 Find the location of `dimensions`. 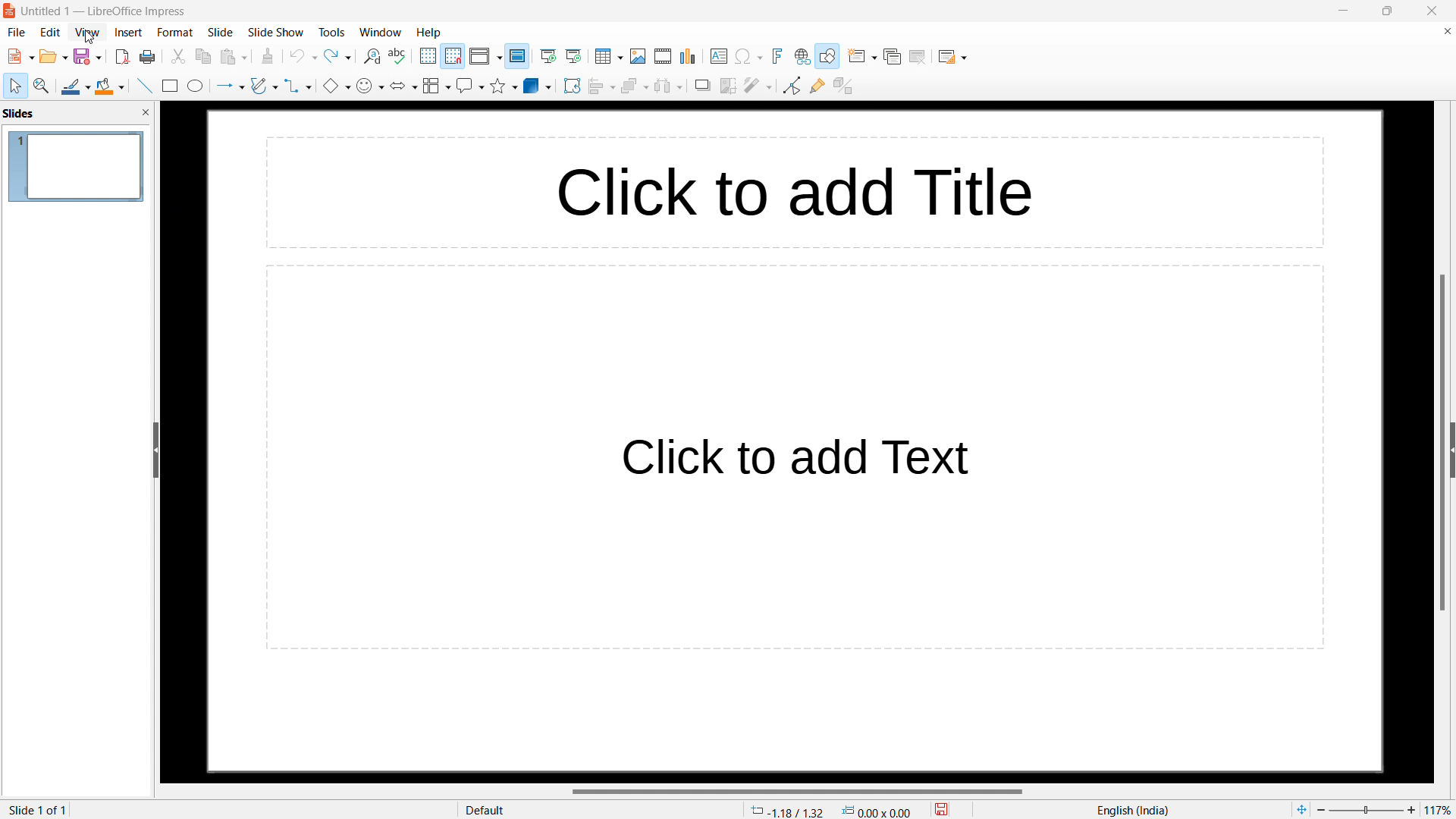

dimensions is located at coordinates (877, 811).